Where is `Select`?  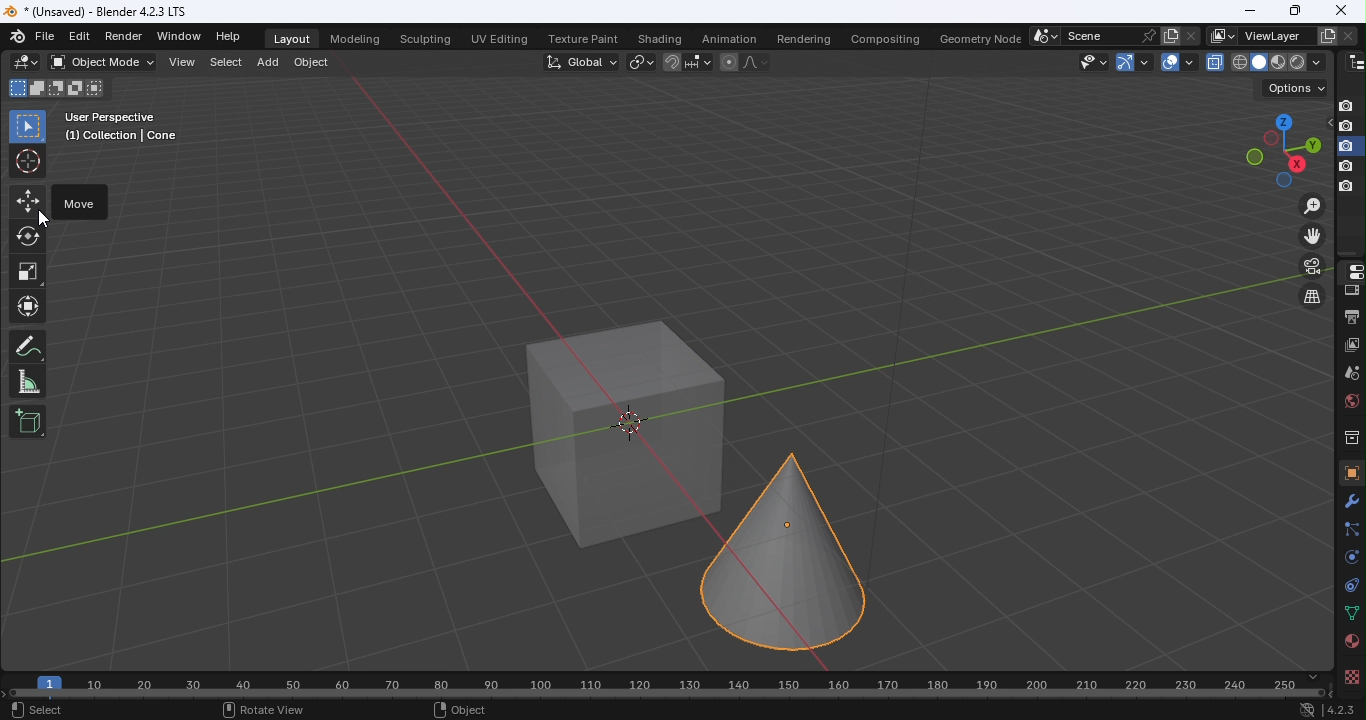
Select is located at coordinates (222, 65).